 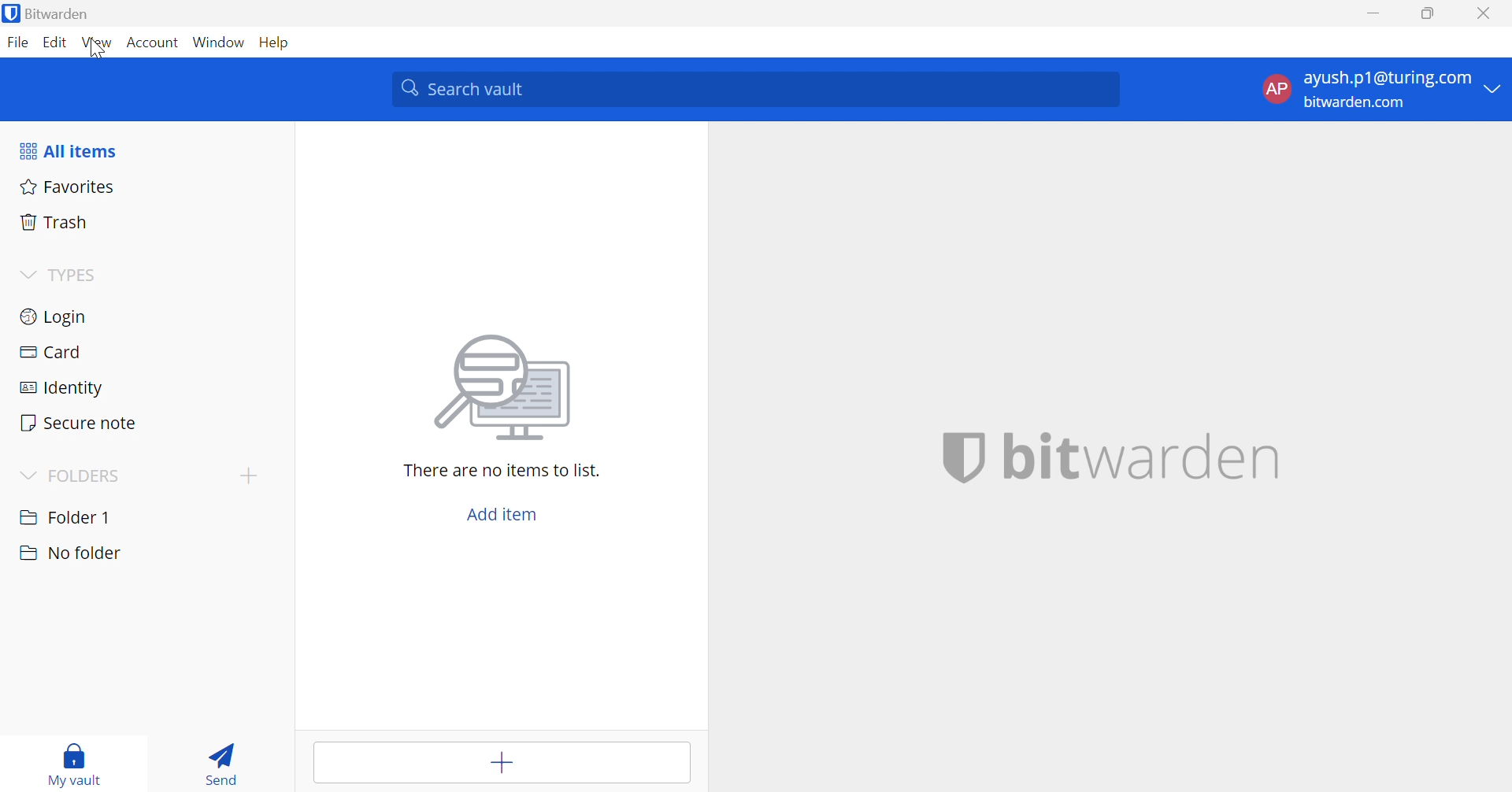 I want to click on Account options , so click(x=1385, y=90).